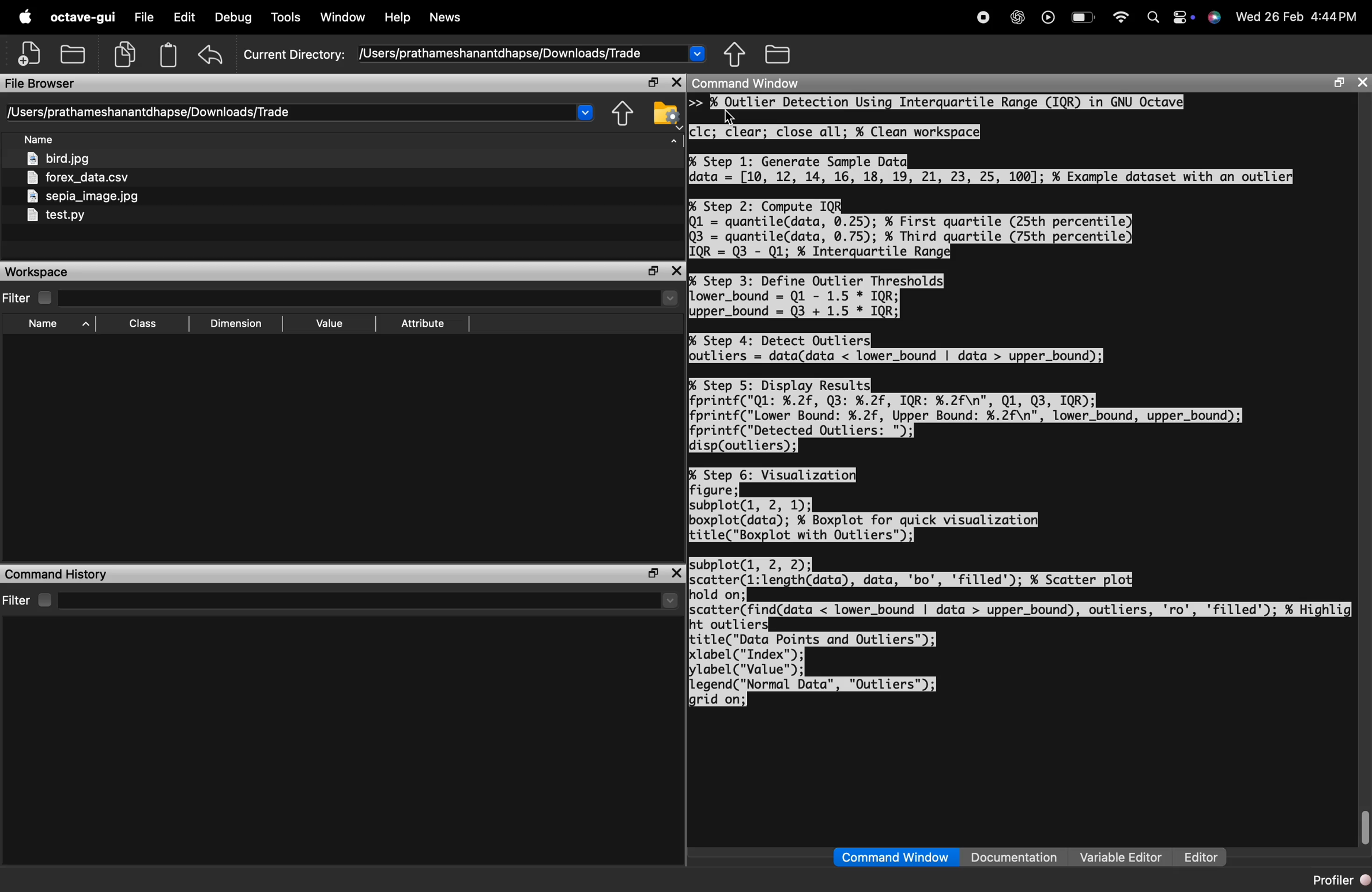 The height and width of the screenshot is (892, 1372). I want to click on close, so click(1362, 82).